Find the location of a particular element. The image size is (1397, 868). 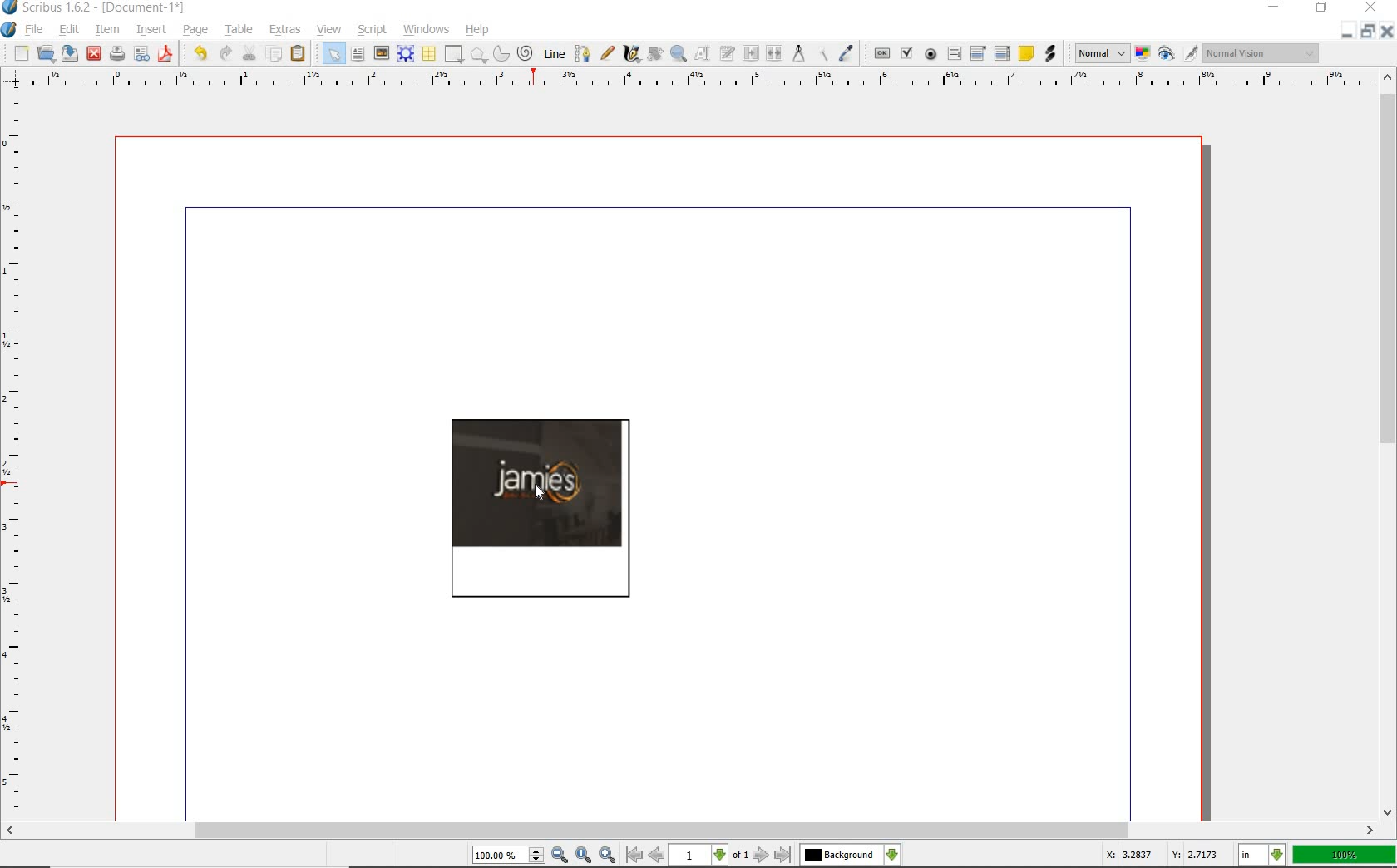

unlink text frames is located at coordinates (774, 52).